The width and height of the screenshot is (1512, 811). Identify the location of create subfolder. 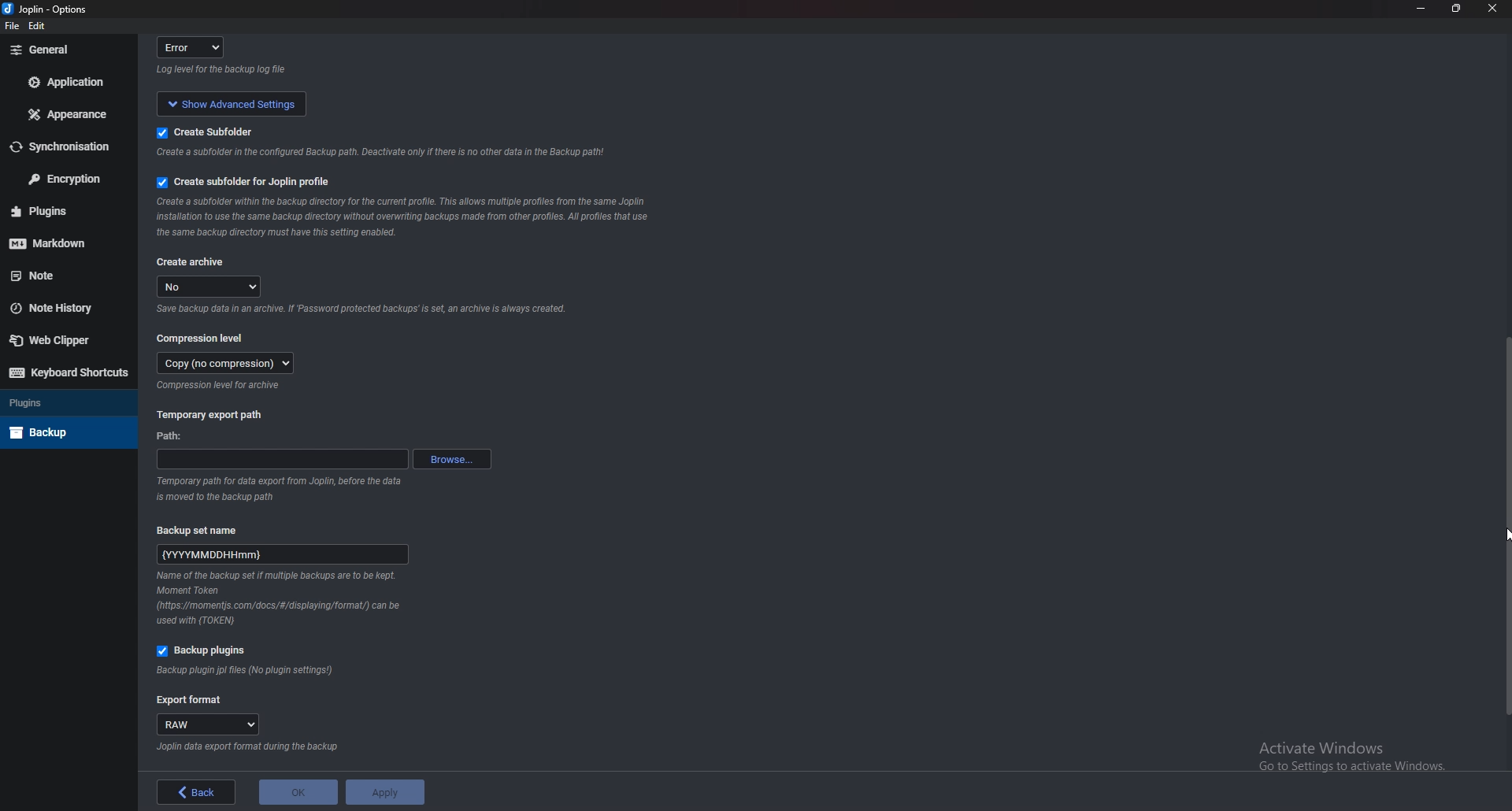
(226, 131).